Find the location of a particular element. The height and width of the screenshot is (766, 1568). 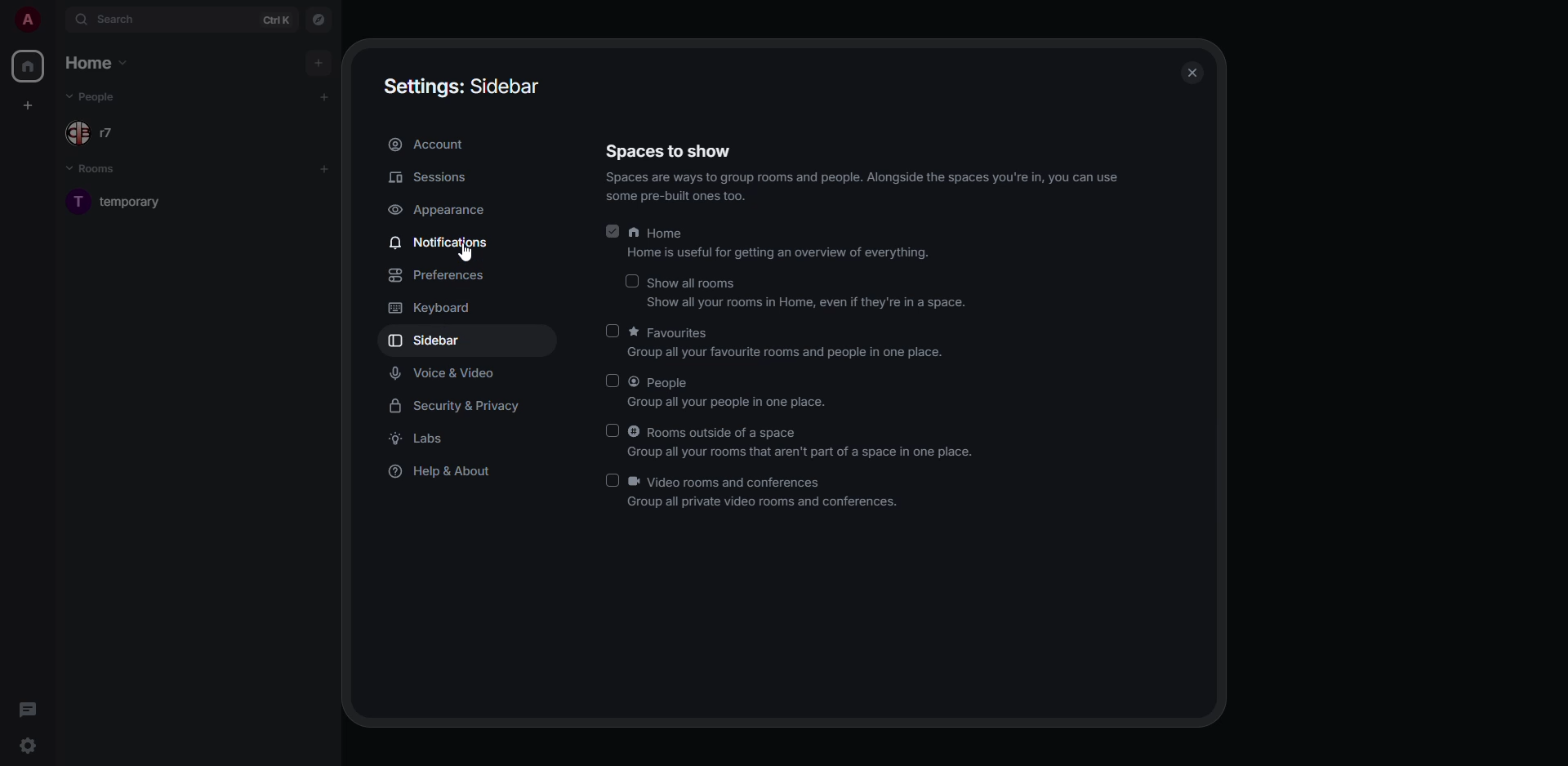

home is located at coordinates (99, 62).